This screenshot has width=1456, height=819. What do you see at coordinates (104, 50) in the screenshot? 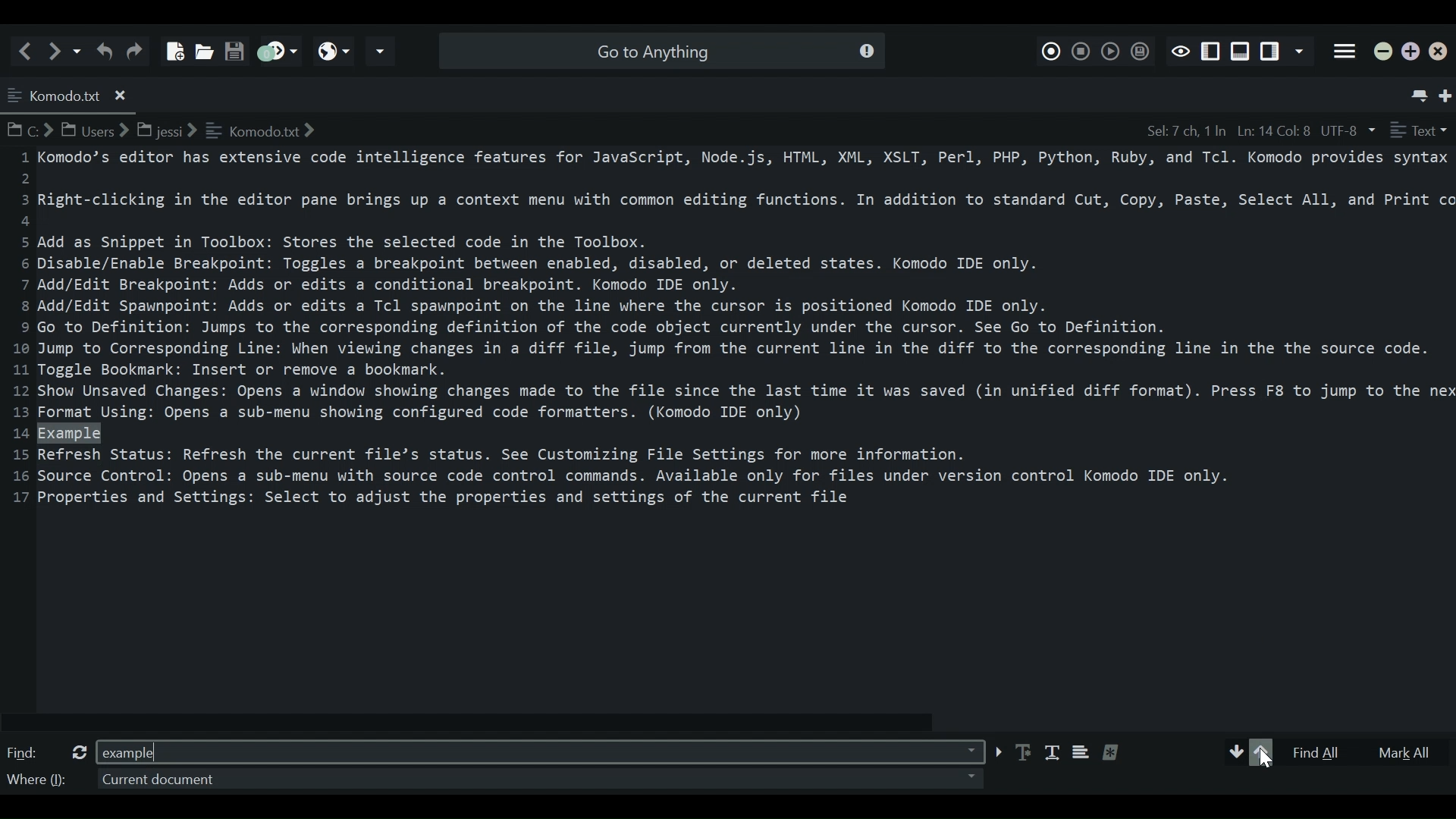
I see `Undo` at bounding box center [104, 50].